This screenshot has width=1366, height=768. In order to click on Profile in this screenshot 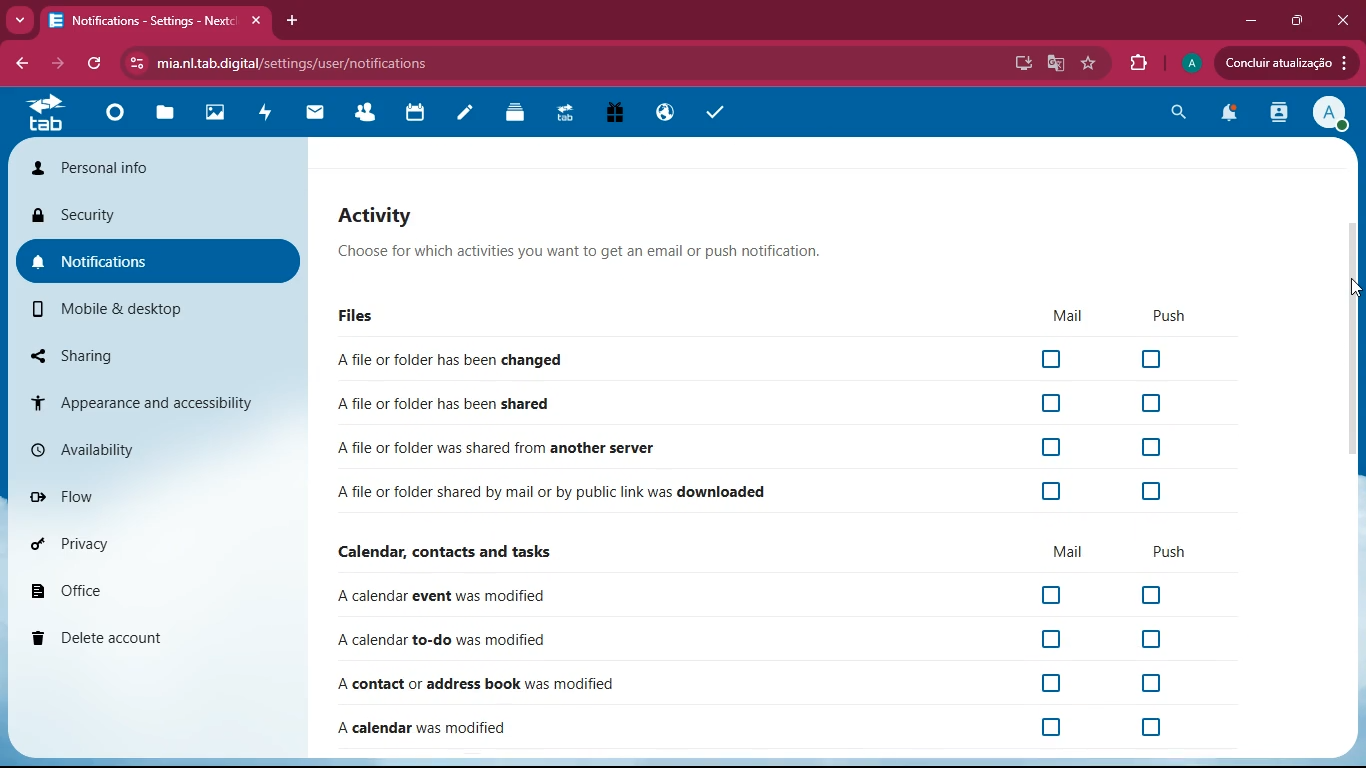, I will do `click(1192, 61)`.